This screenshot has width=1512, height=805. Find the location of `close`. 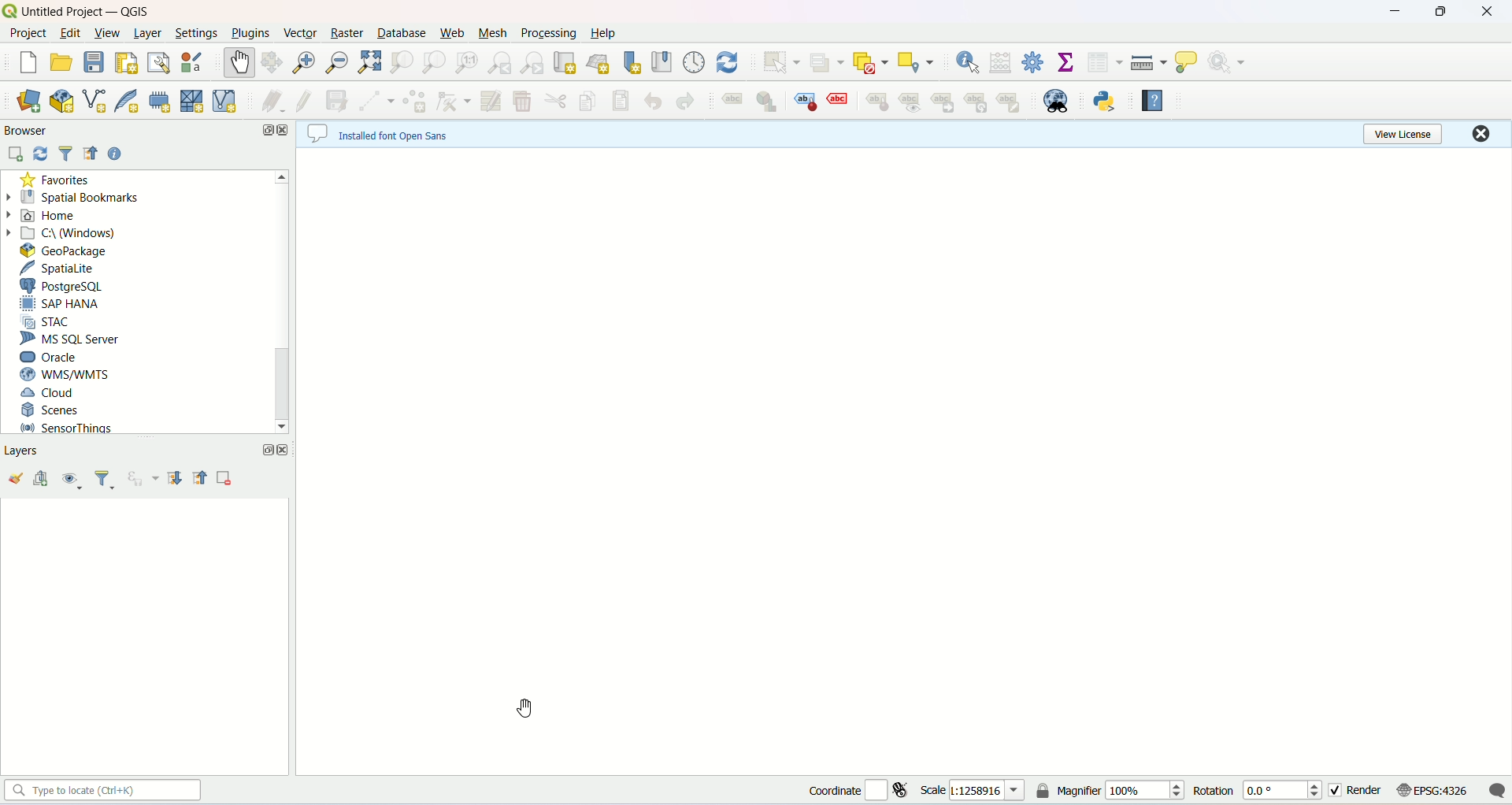

close is located at coordinates (1488, 12).